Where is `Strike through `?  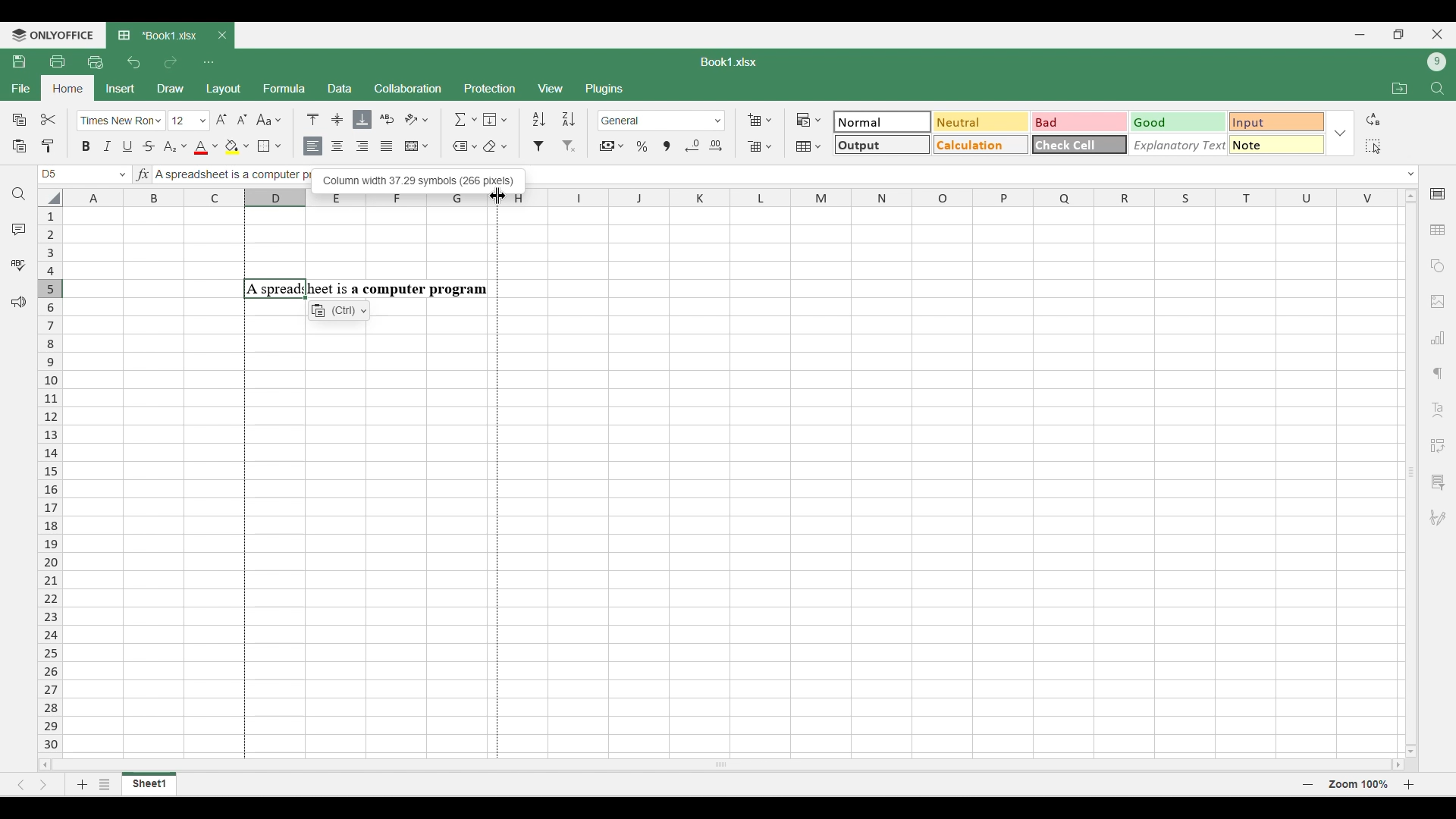 Strike through  is located at coordinates (149, 146).